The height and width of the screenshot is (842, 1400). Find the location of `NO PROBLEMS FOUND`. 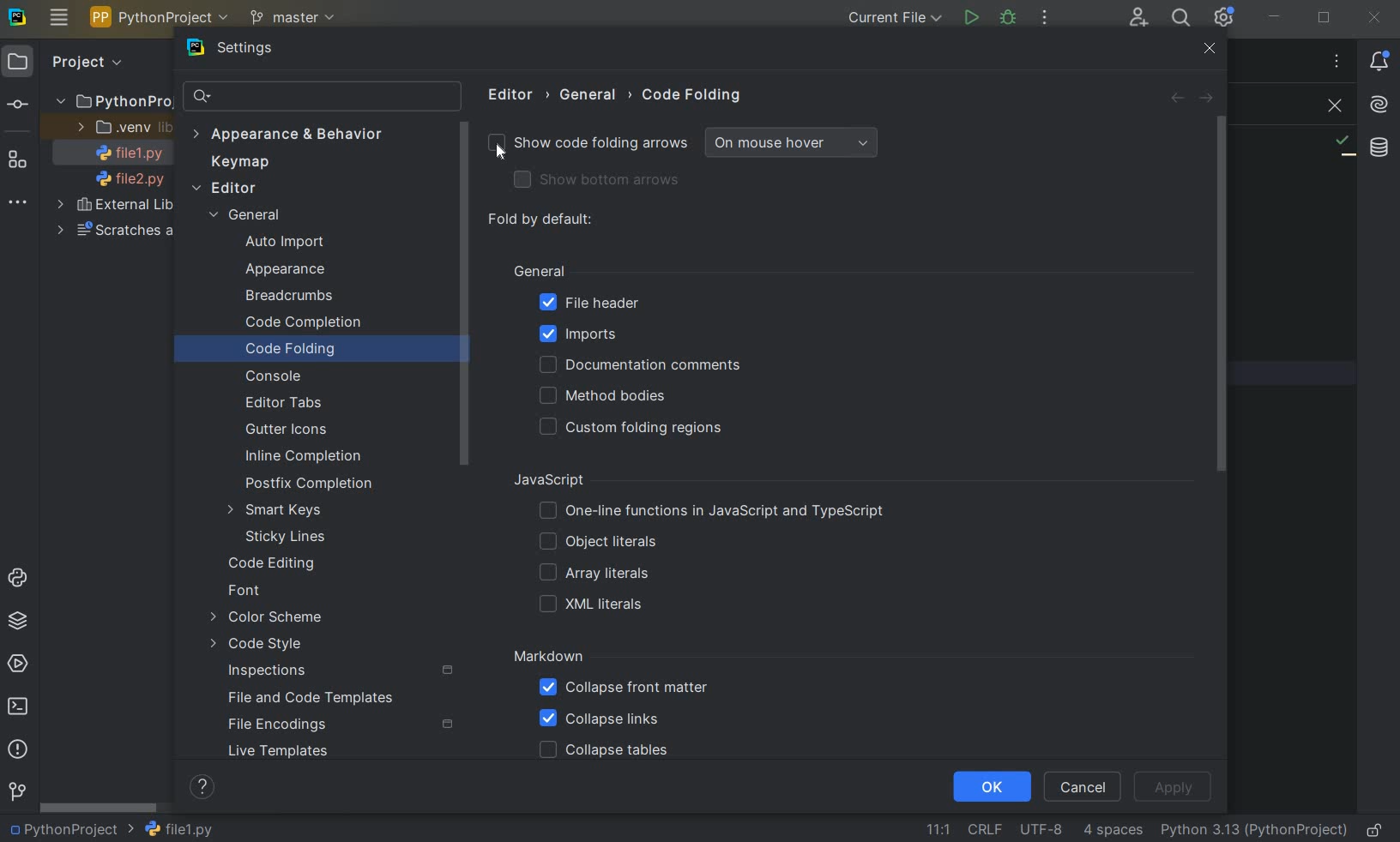

NO PROBLEMS FOUND is located at coordinates (1343, 146).